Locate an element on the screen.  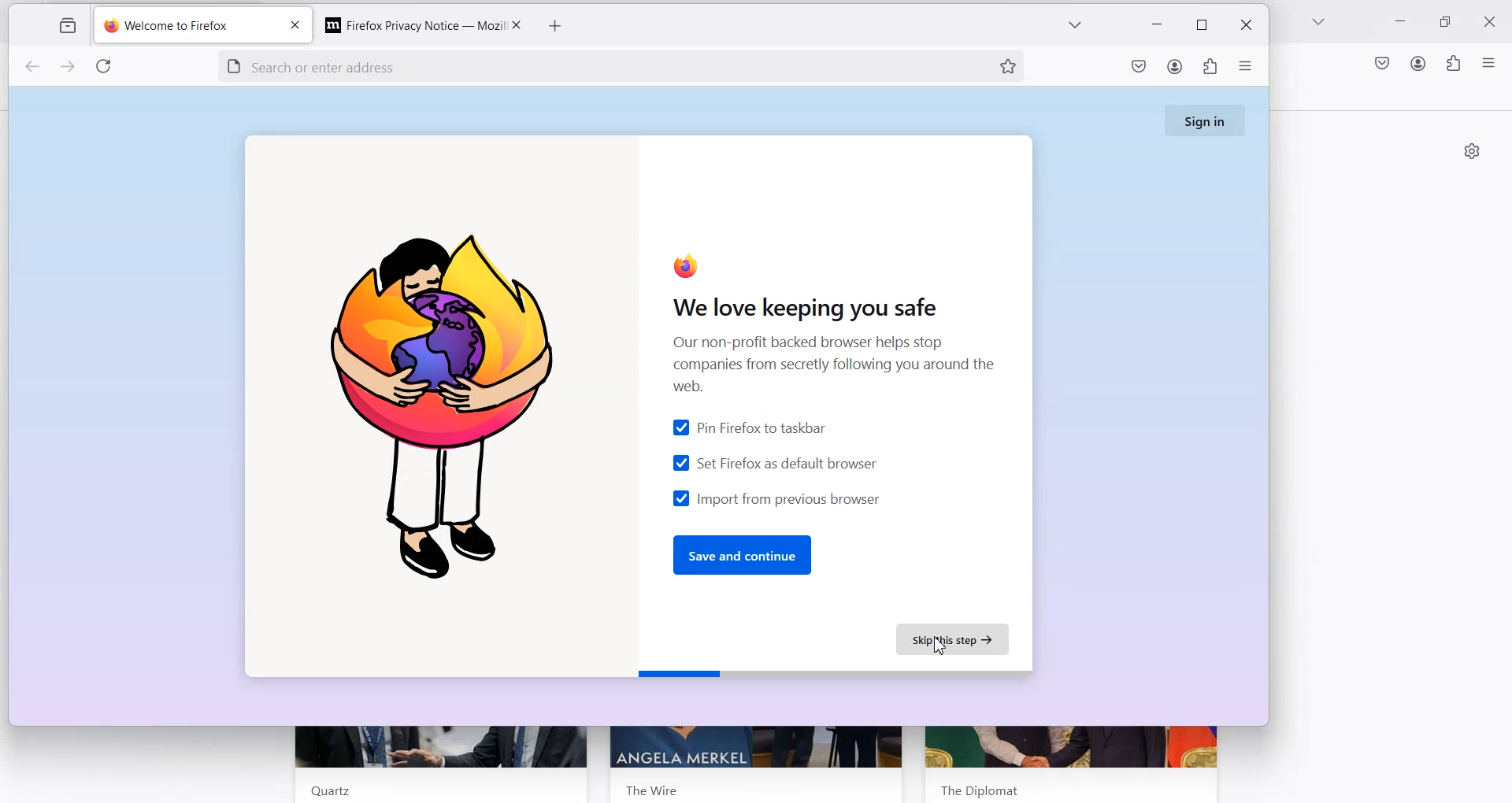
Set Firefox as default browser is located at coordinates (774, 462).